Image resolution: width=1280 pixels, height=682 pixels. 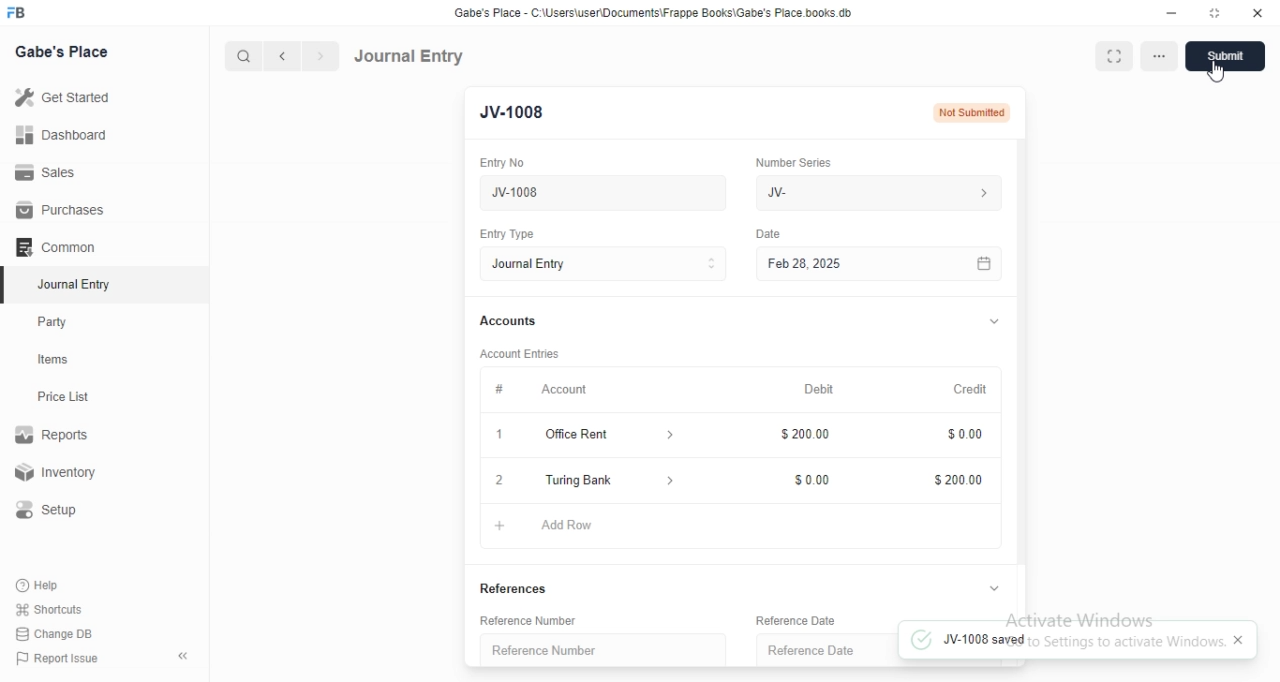 I want to click on $200.00, so click(x=955, y=480).